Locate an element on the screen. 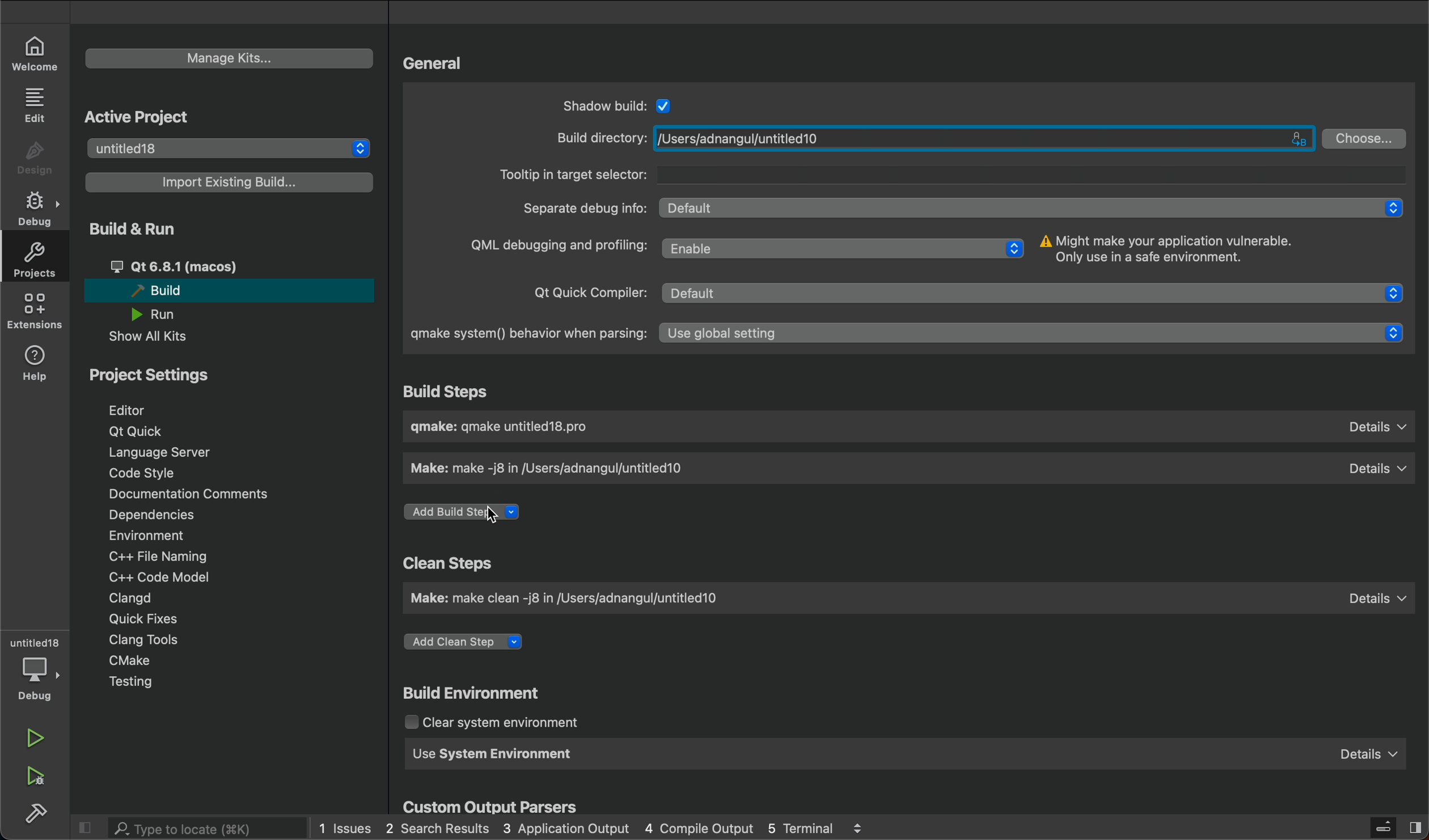  Clear system environment is located at coordinates (495, 721).